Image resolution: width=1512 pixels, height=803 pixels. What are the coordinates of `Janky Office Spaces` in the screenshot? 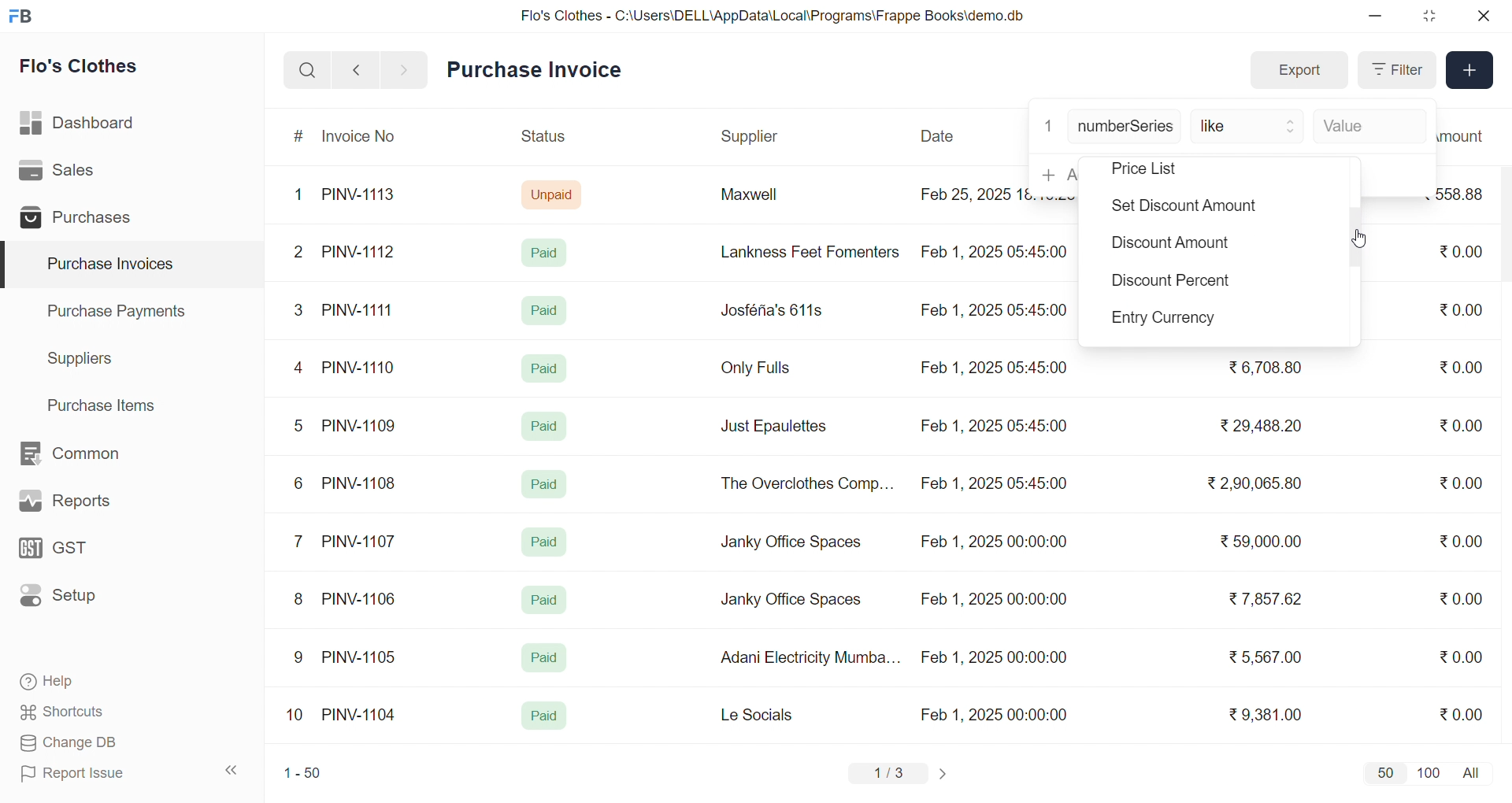 It's located at (792, 543).